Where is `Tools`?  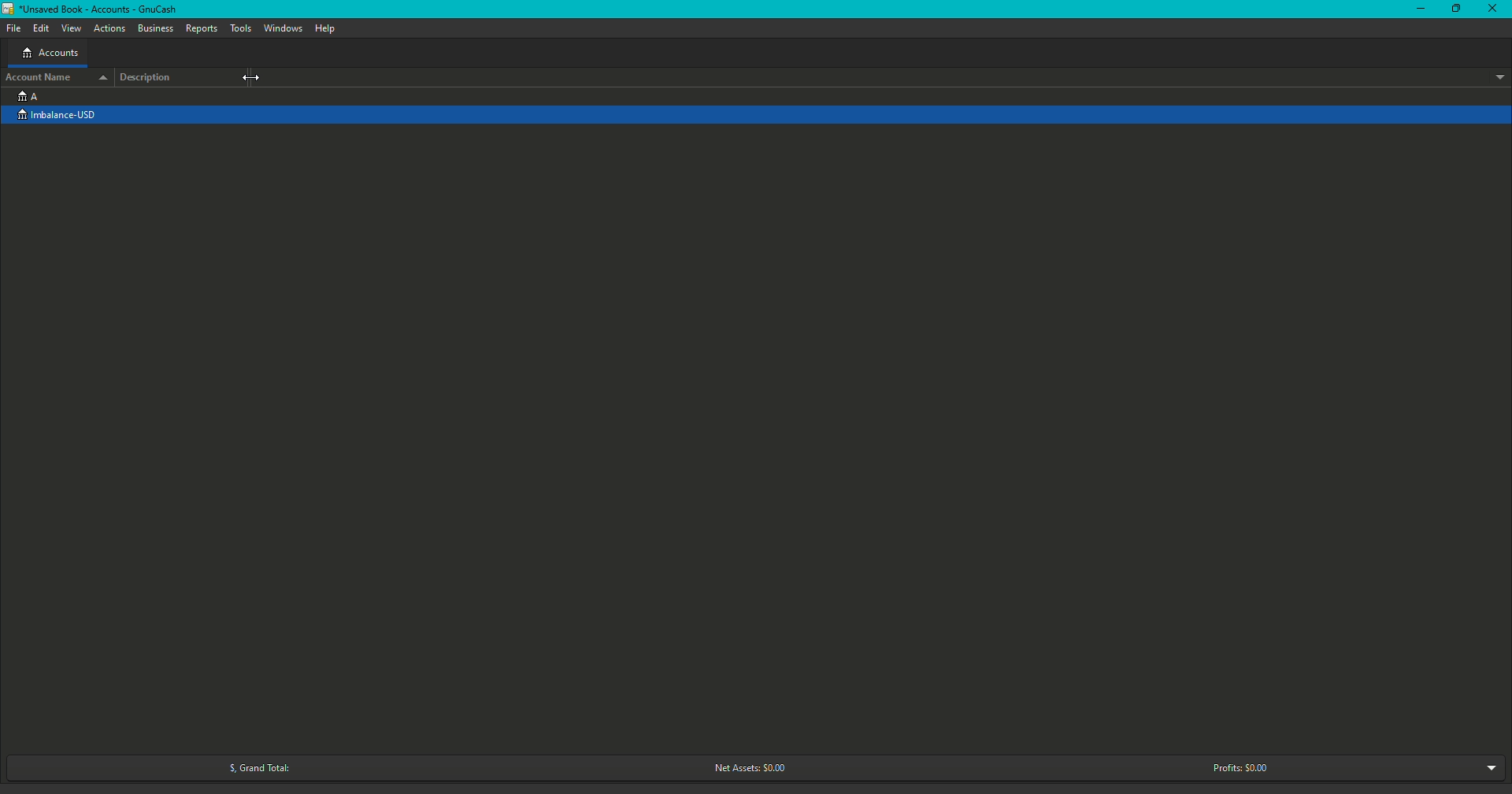 Tools is located at coordinates (243, 28).